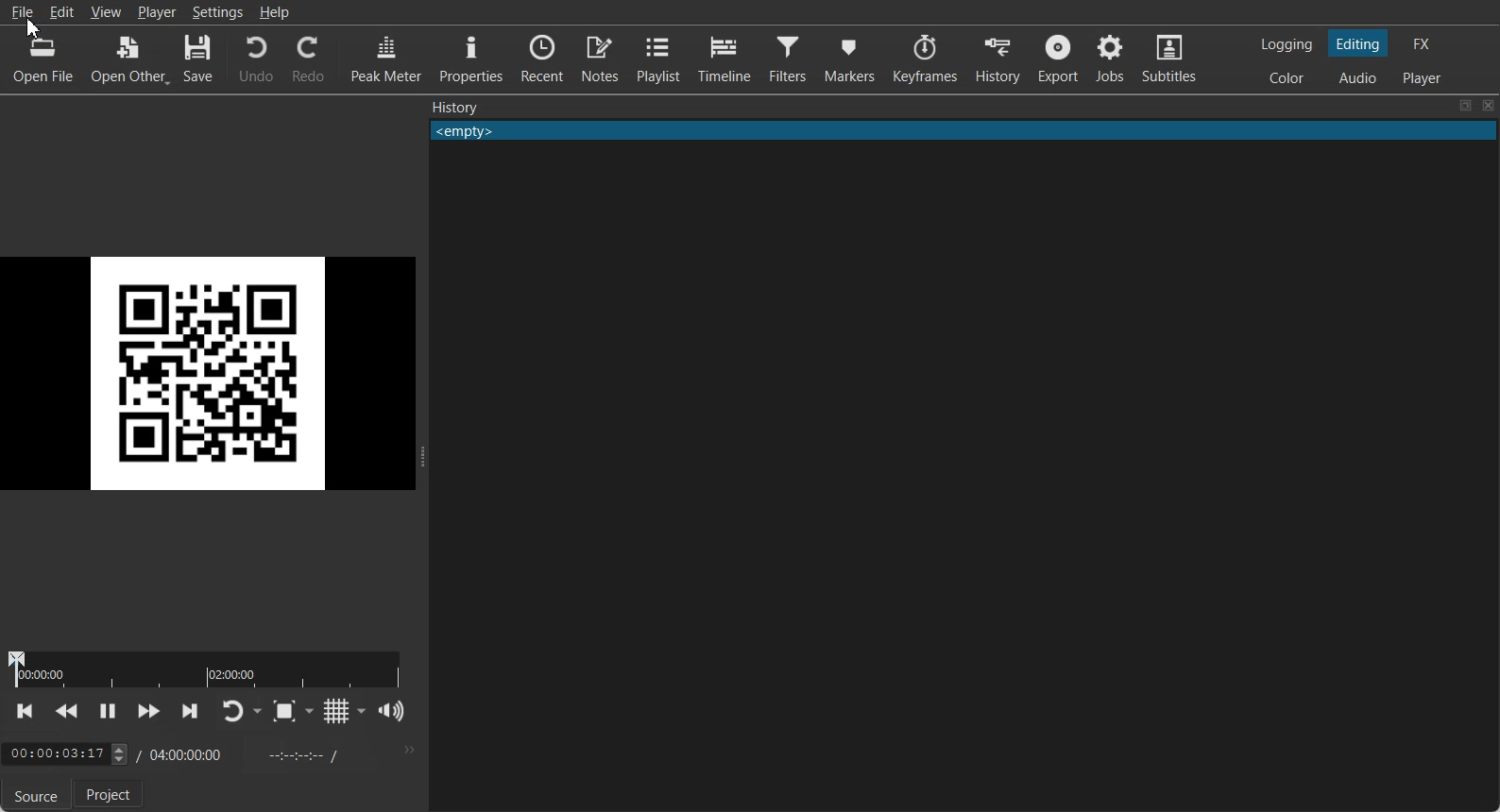  I want to click on Settings, so click(218, 12).